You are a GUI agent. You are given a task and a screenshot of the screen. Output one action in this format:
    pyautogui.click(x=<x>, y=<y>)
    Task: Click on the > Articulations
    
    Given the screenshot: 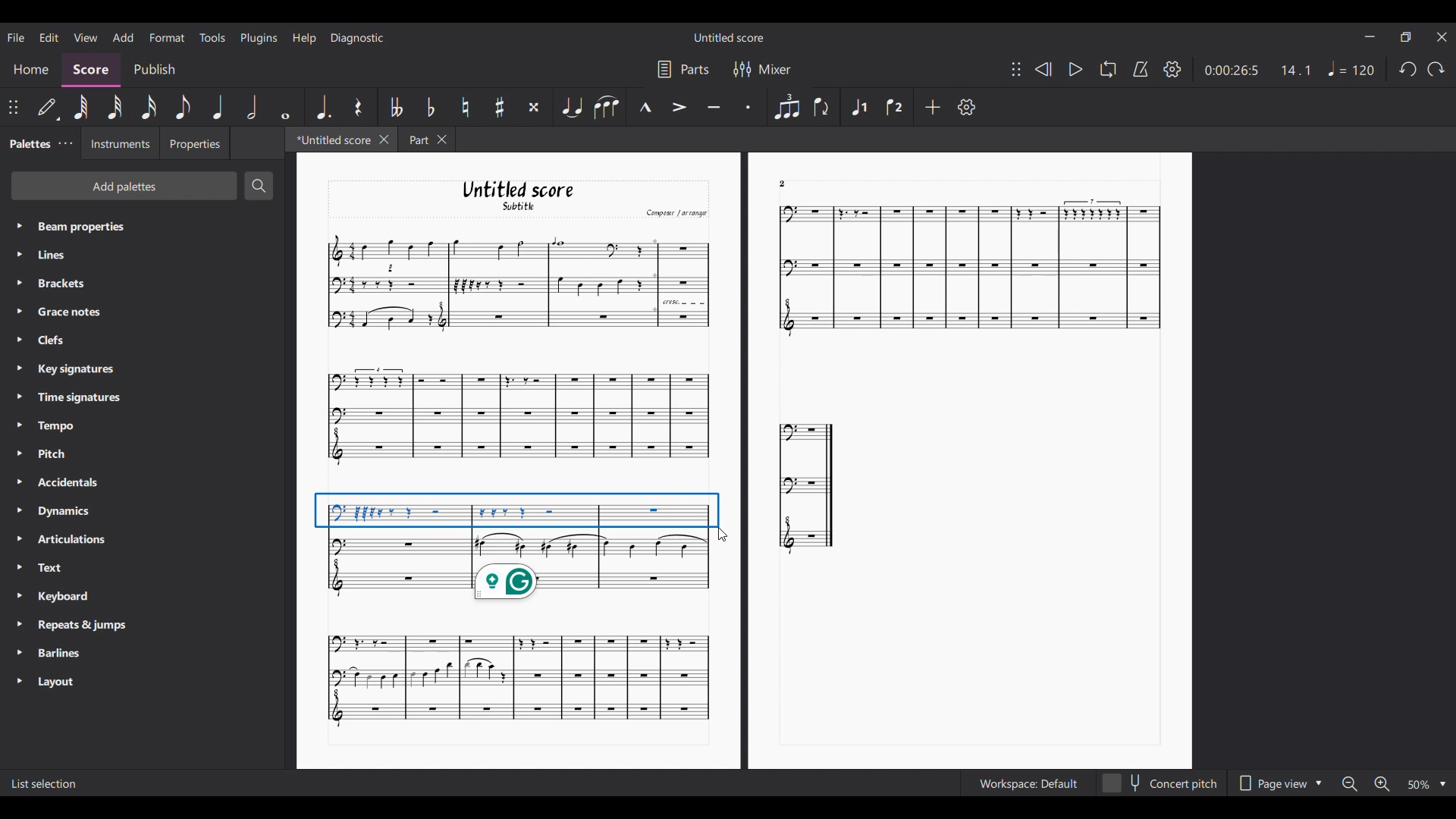 What is the action you would take?
    pyautogui.click(x=65, y=543)
    